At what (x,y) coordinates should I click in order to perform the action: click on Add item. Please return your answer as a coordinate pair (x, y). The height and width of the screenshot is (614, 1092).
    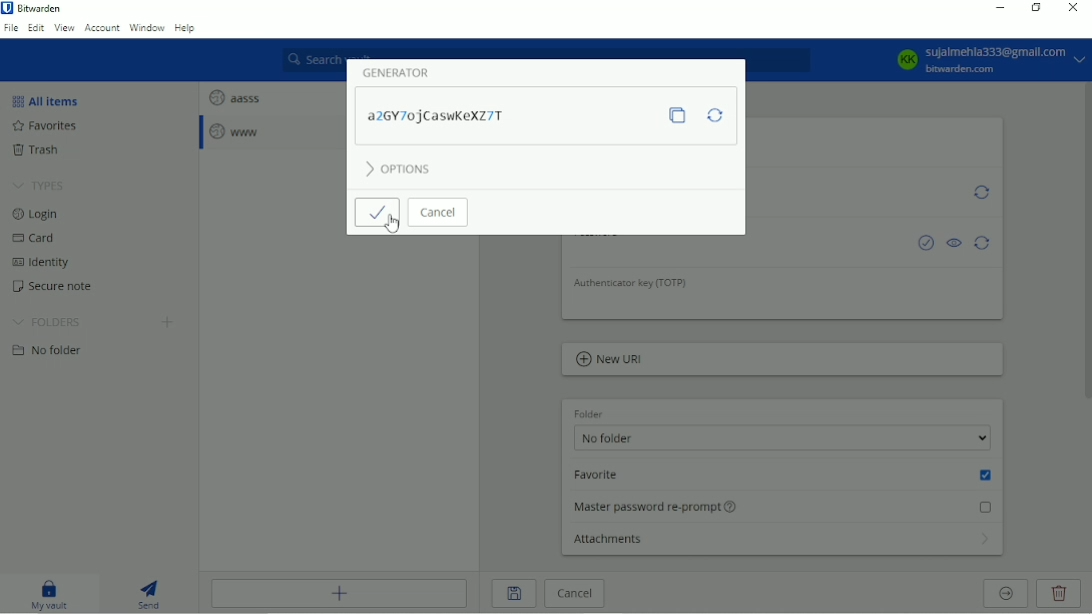
    Looking at the image, I should click on (343, 593).